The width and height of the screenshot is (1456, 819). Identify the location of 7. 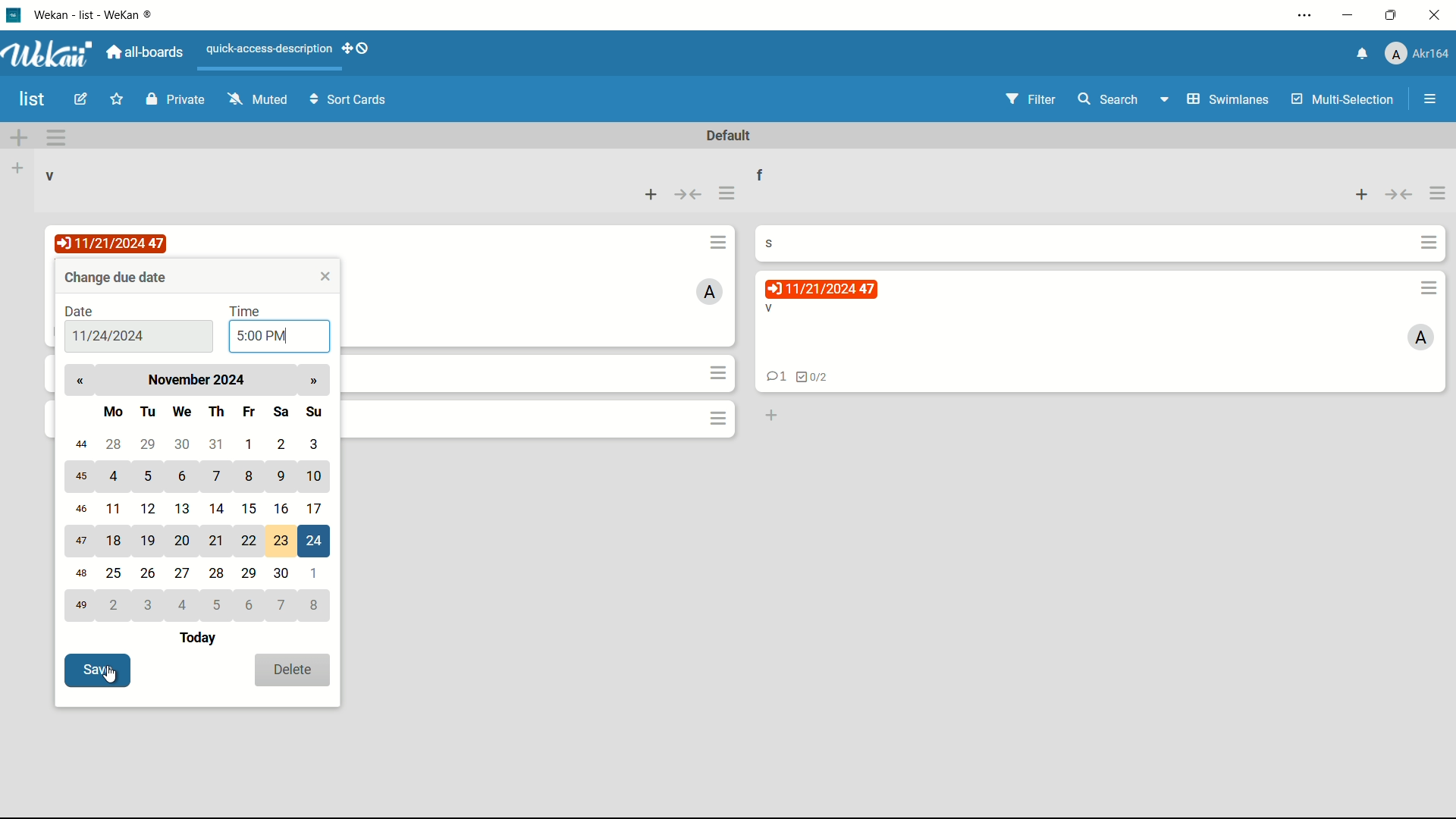
(283, 606).